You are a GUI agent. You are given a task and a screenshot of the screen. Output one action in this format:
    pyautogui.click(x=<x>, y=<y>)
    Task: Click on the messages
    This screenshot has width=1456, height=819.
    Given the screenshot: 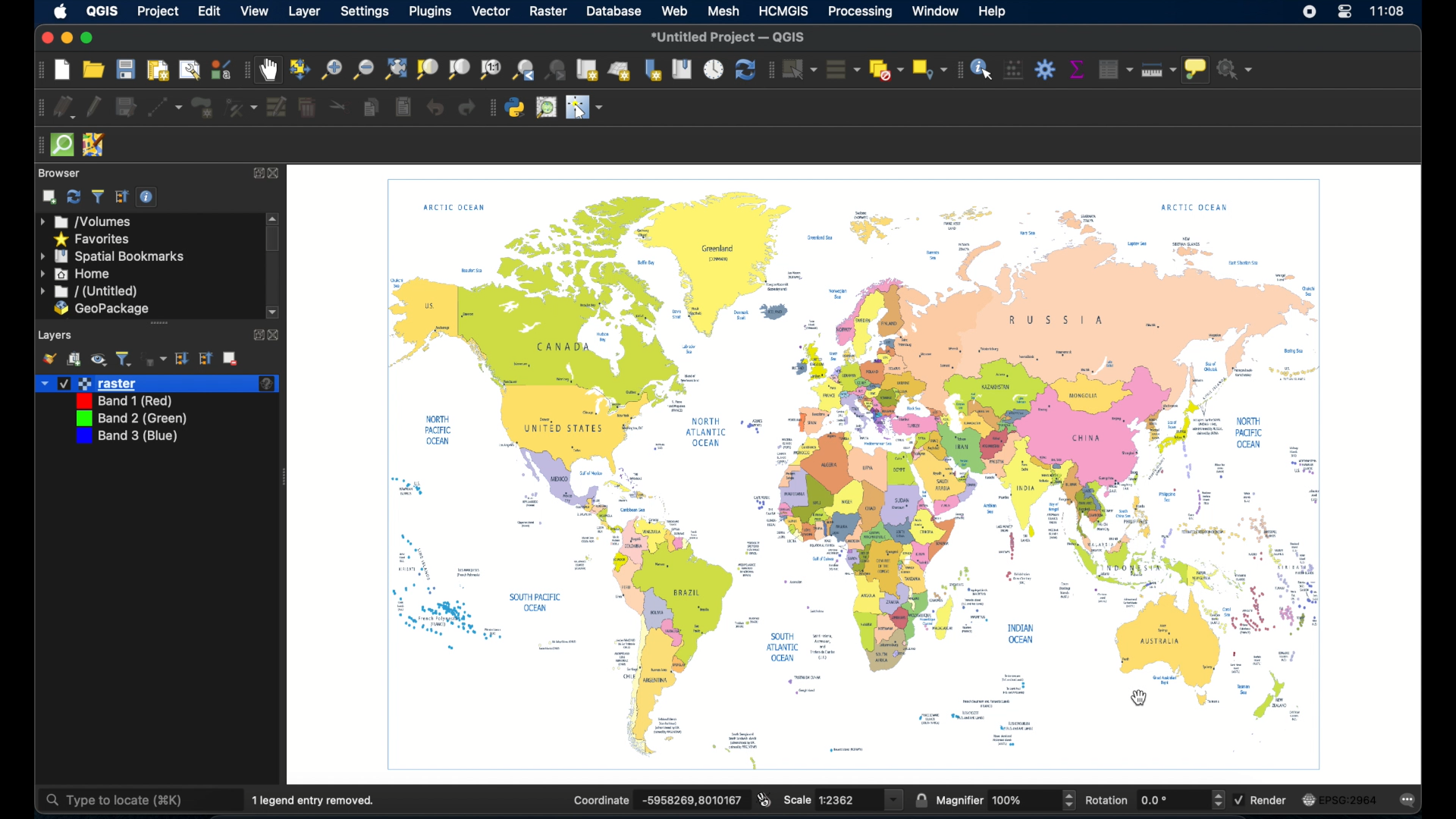 What is the action you would take?
    pyautogui.click(x=1412, y=799)
    